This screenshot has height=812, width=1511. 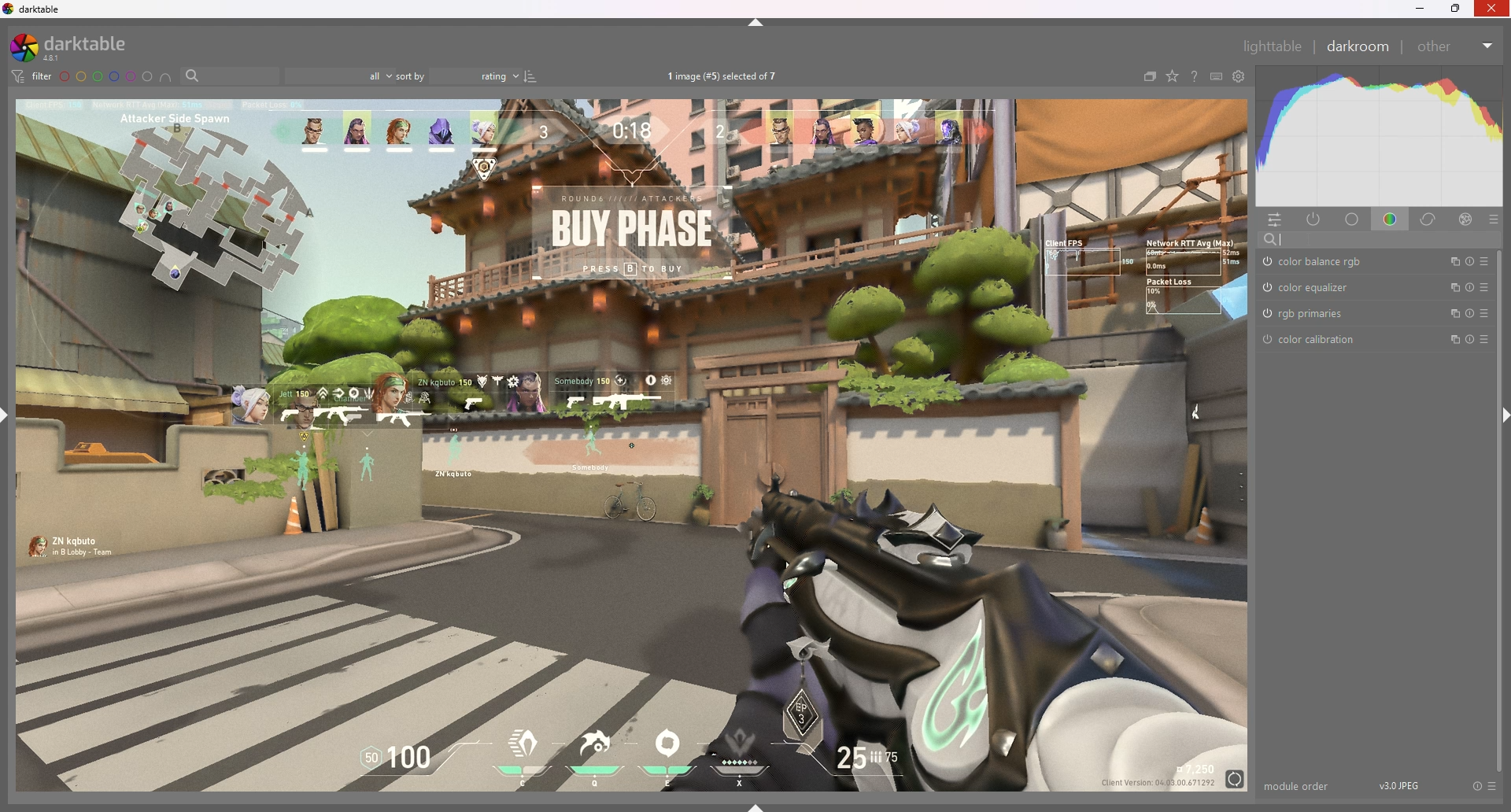 What do you see at coordinates (724, 77) in the screenshot?
I see `images selected` at bounding box center [724, 77].